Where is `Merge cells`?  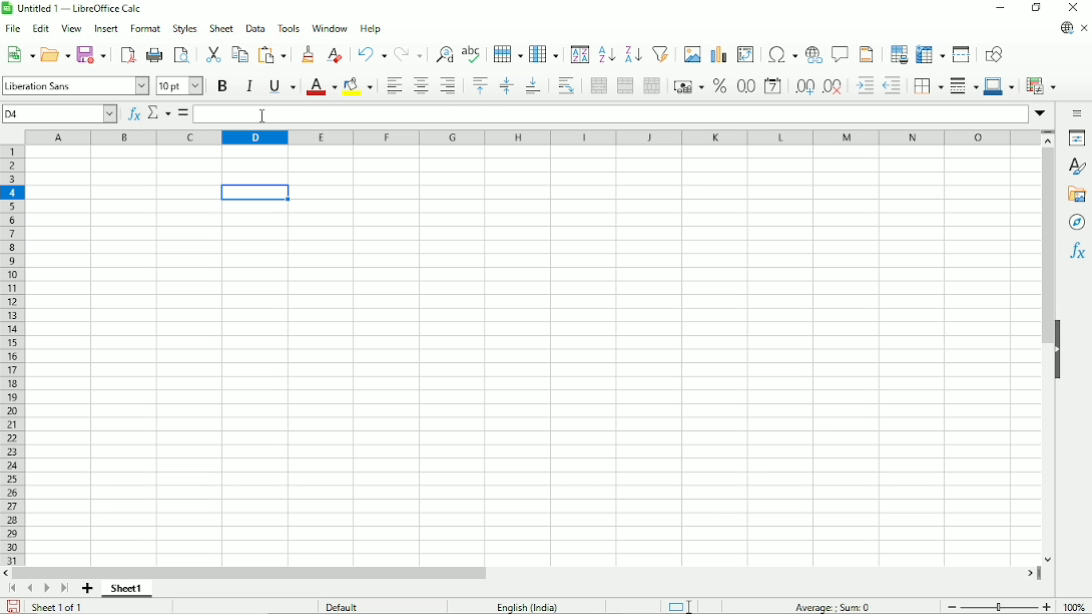 Merge cells is located at coordinates (625, 86).